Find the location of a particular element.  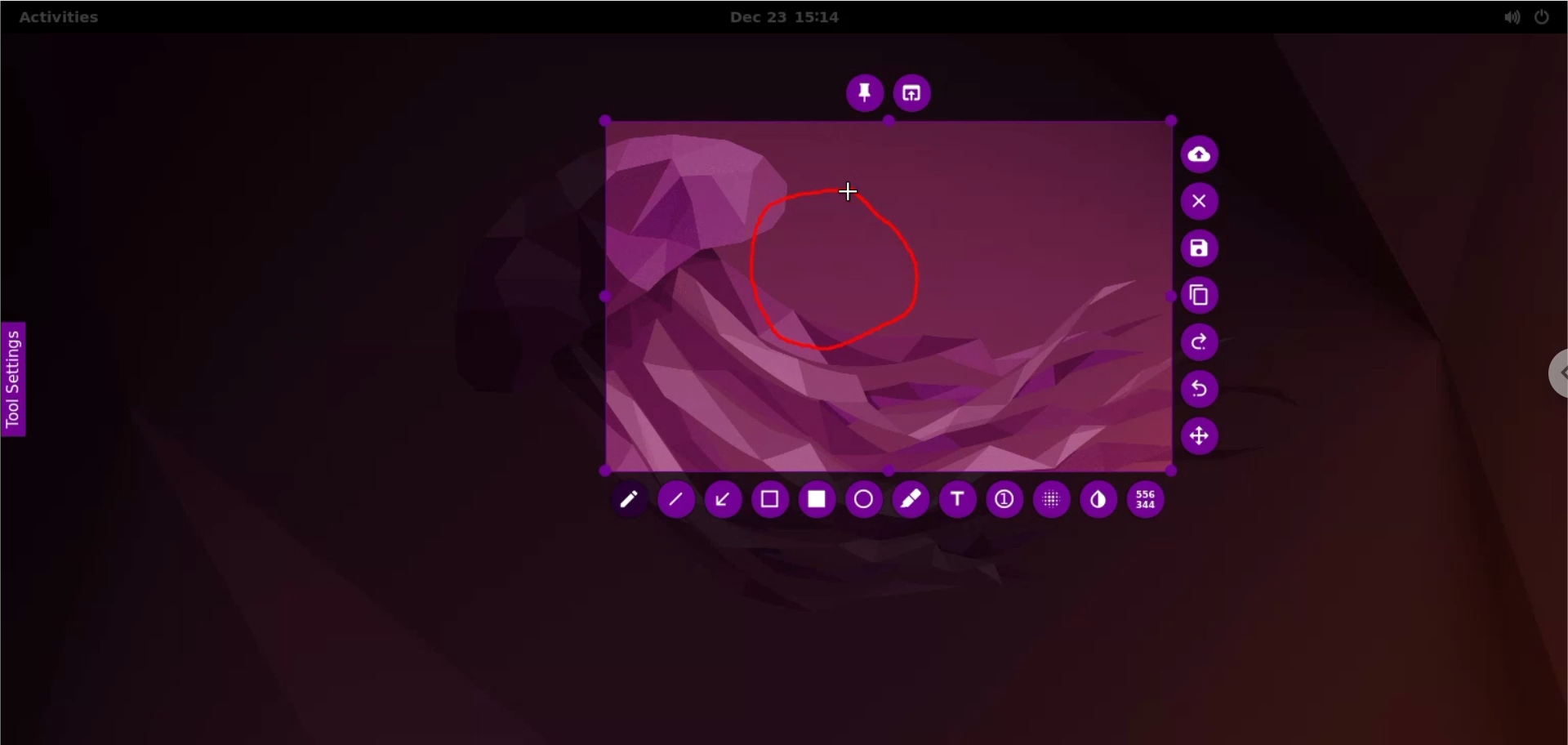

arrow is located at coordinates (727, 499).